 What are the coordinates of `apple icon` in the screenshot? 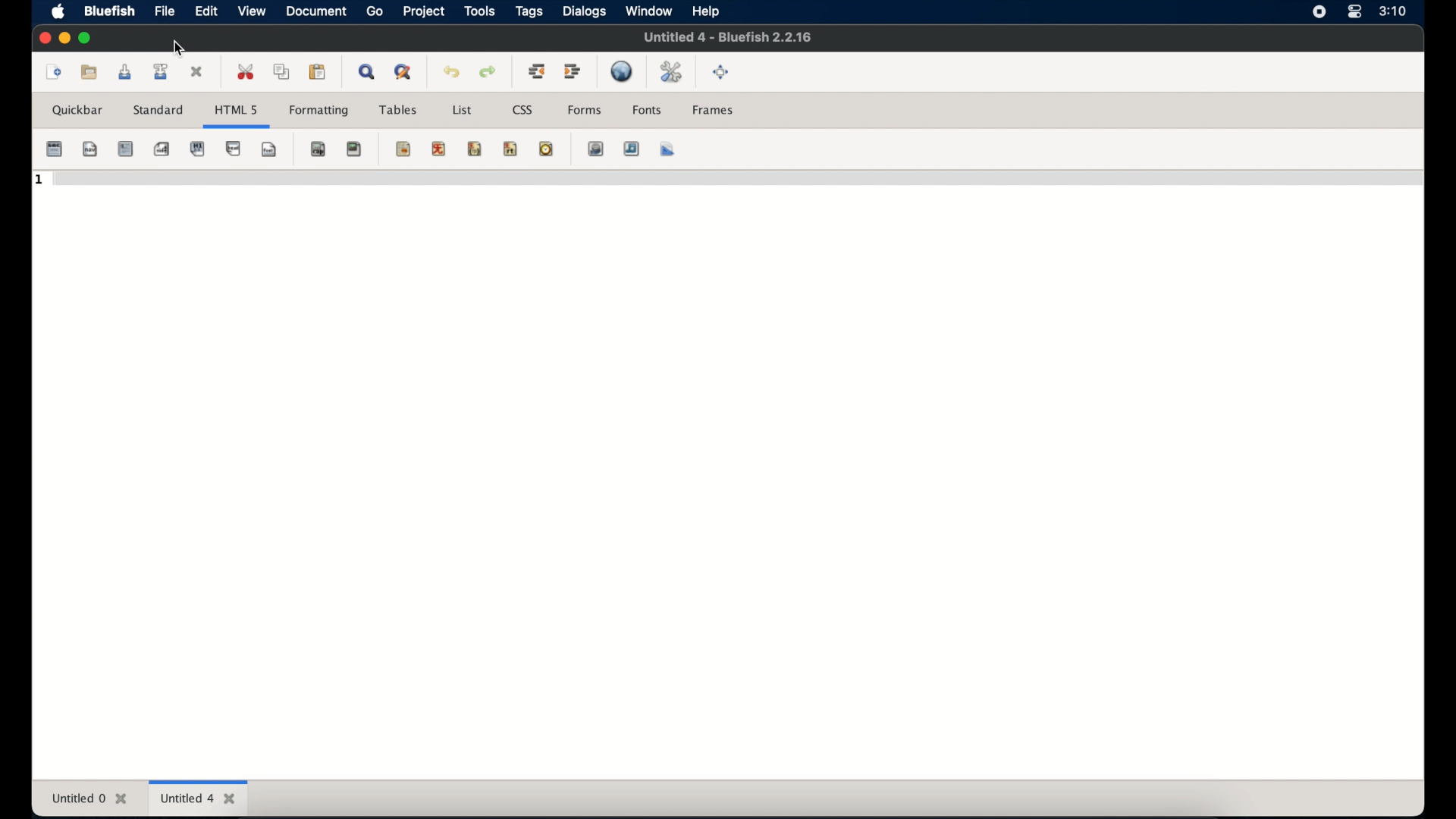 It's located at (58, 13).